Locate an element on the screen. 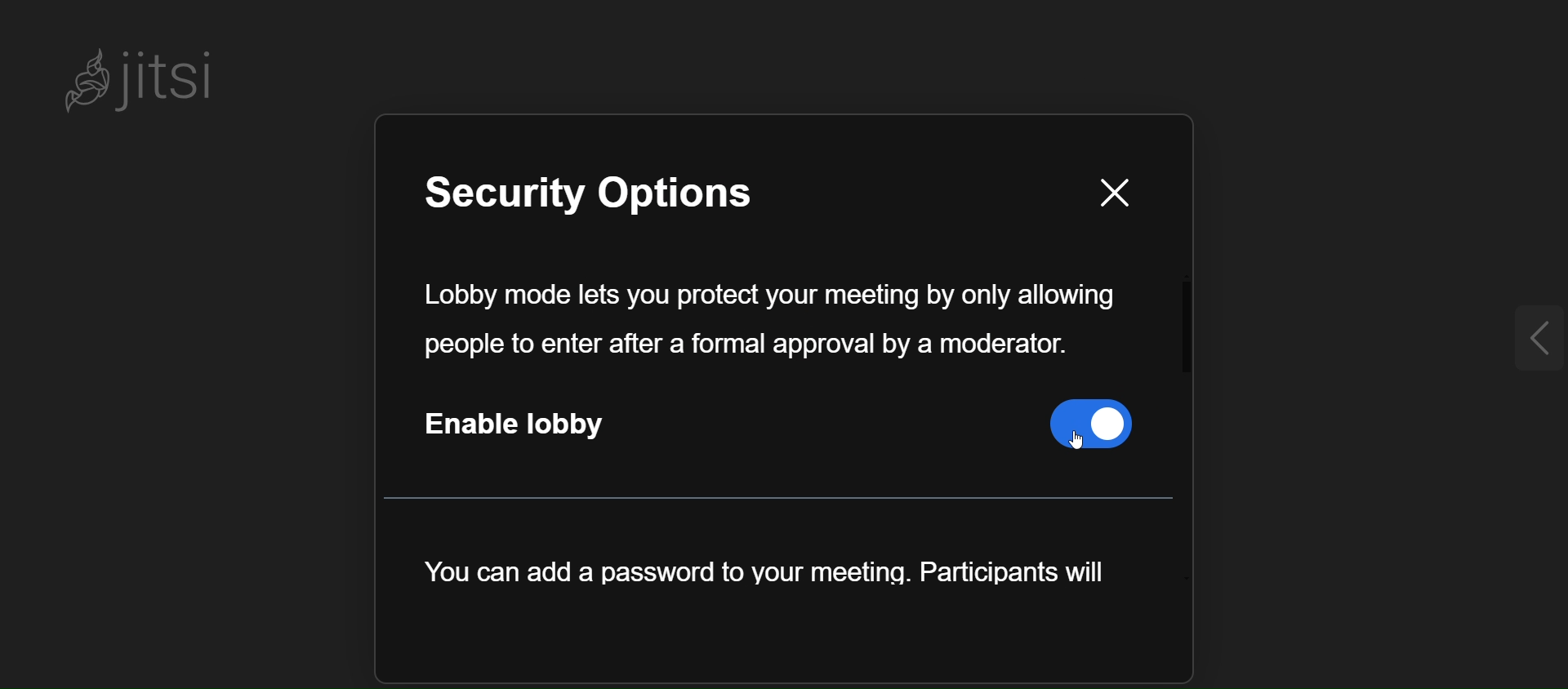 This screenshot has height=689, width=1568. security options is located at coordinates (631, 200).